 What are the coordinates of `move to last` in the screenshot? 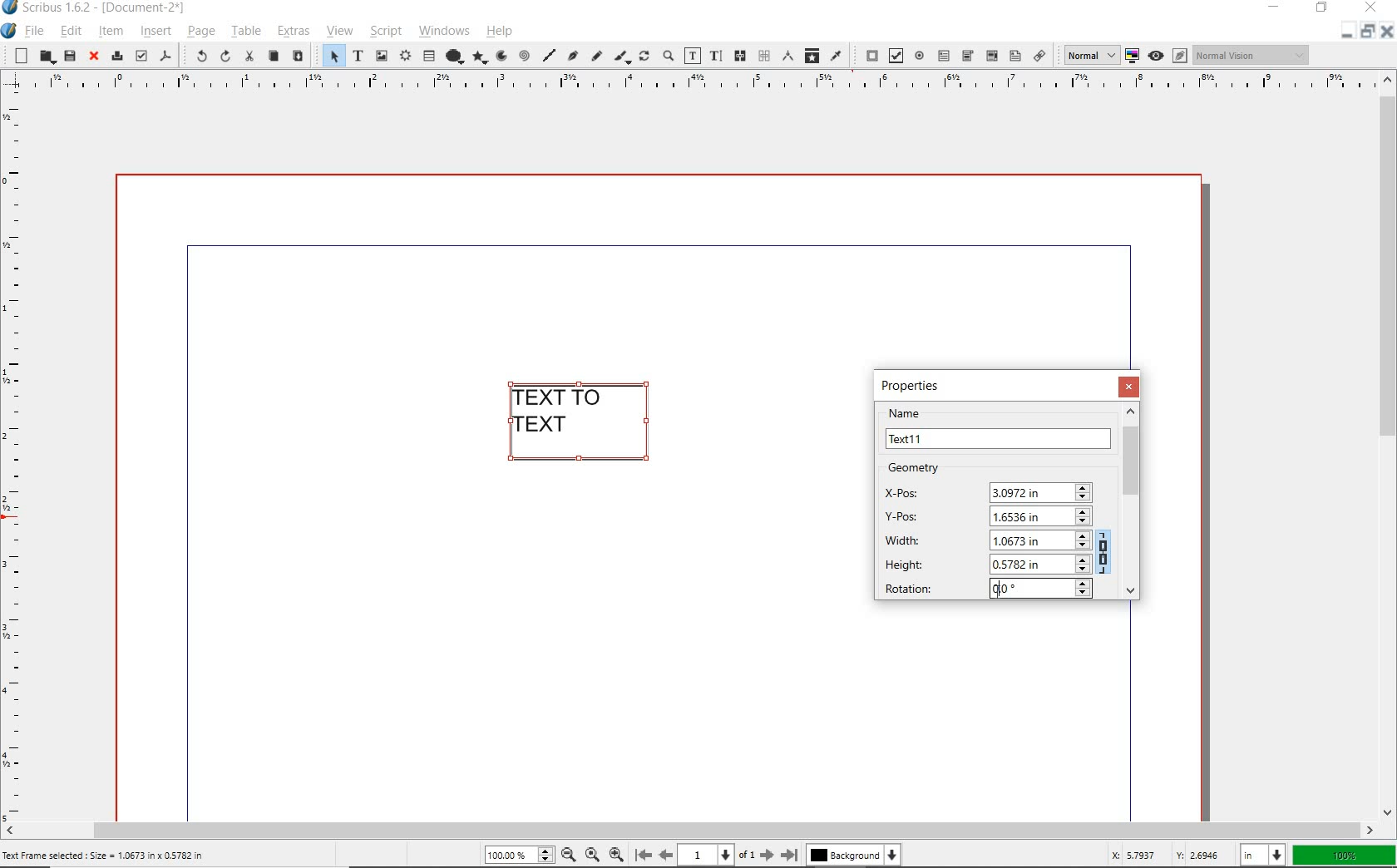 It's located at (792, 856).